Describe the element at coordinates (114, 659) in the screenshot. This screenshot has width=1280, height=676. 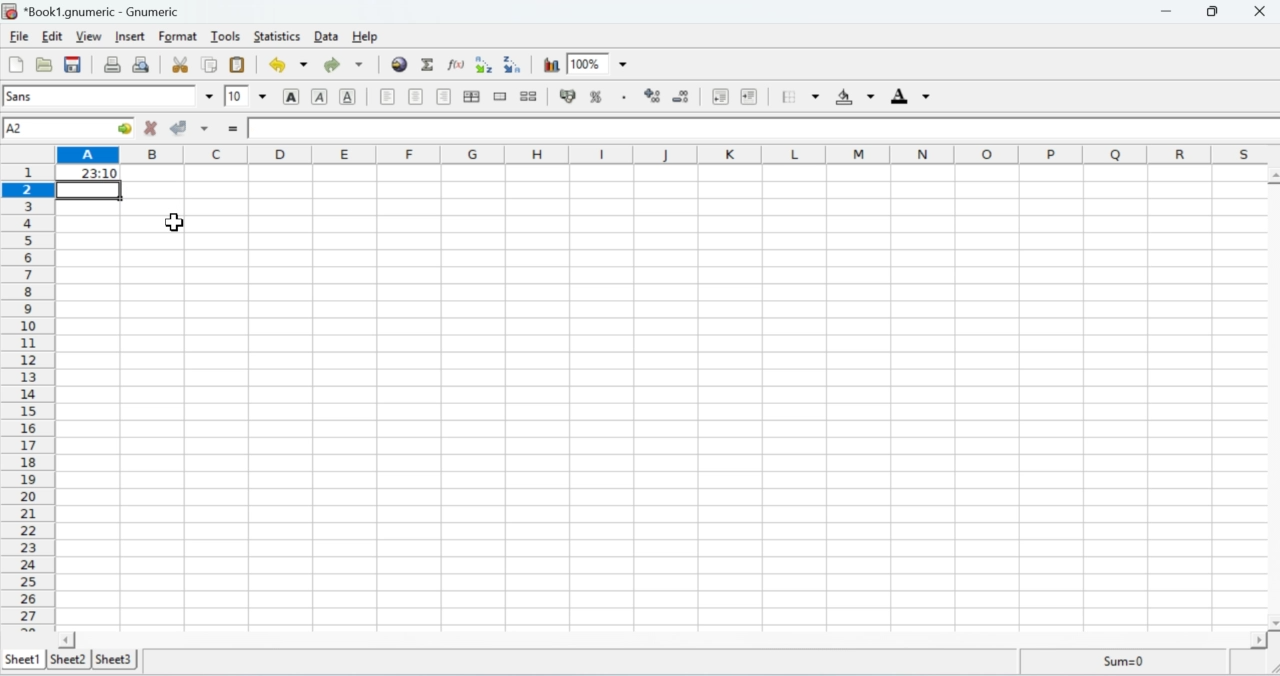
I see `Sheet 3` at that location.